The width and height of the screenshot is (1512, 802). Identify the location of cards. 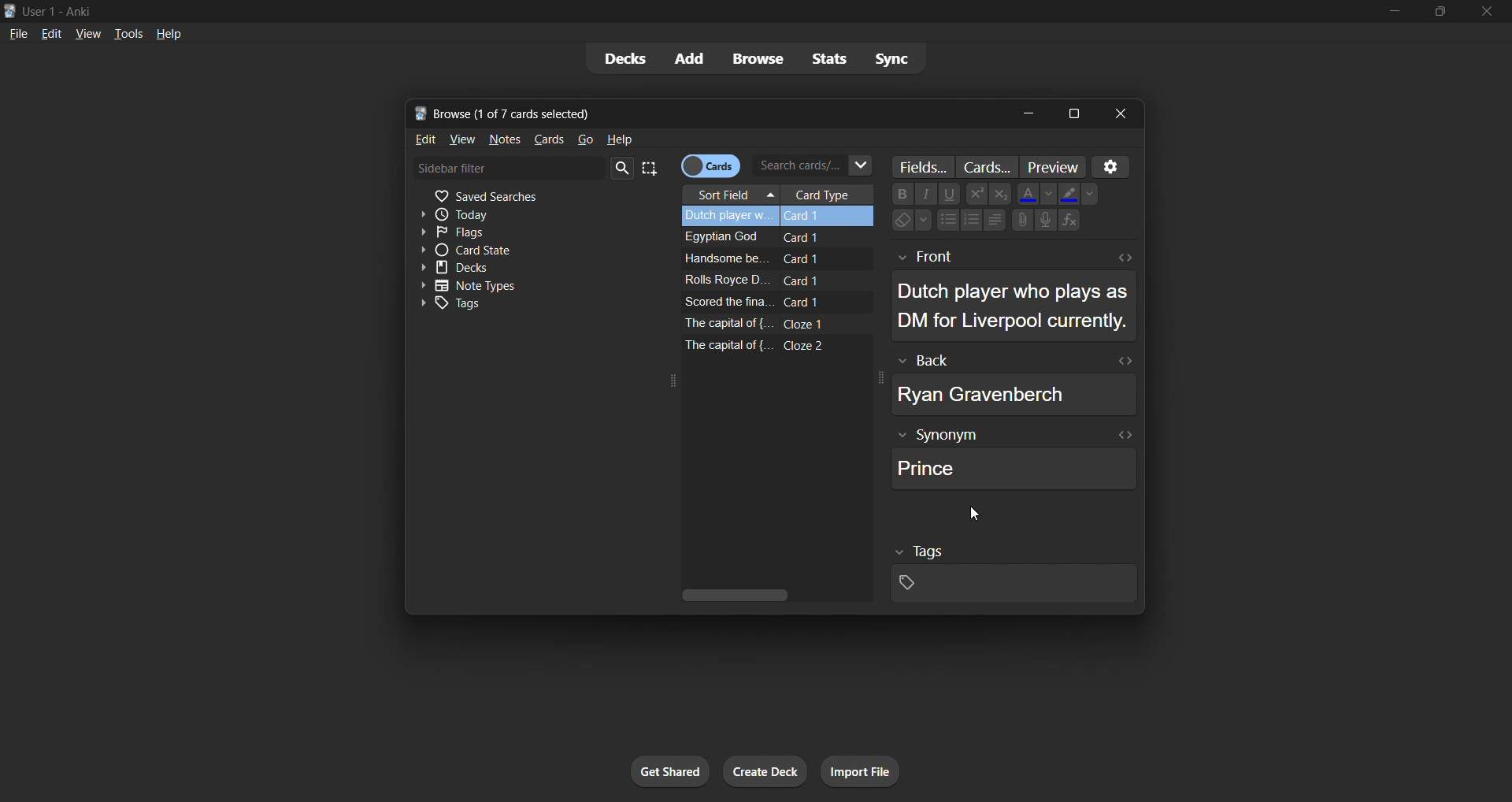
(551, 139).